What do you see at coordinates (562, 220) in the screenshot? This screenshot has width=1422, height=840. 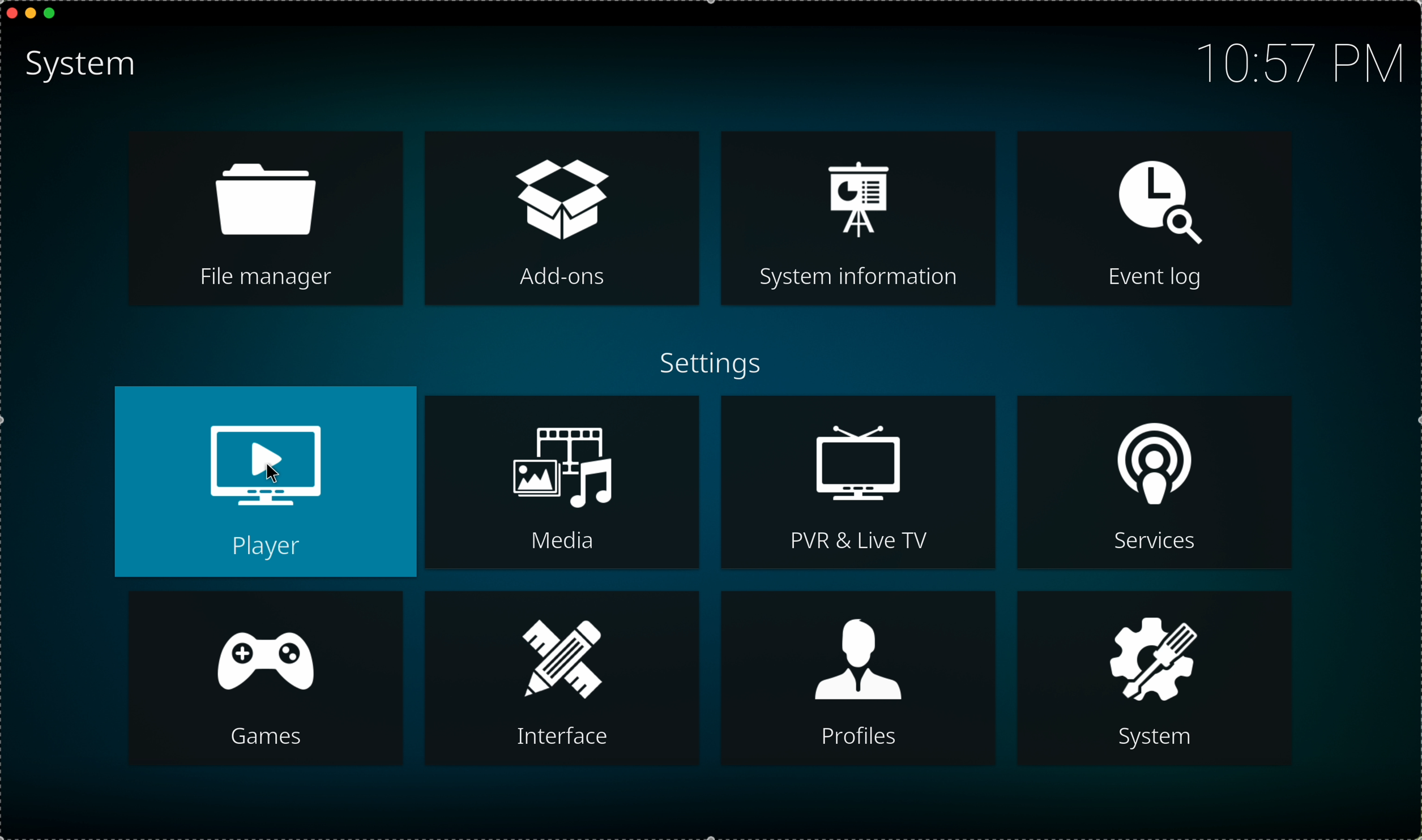 I see `add-ons` at bounding box center [562, 220].